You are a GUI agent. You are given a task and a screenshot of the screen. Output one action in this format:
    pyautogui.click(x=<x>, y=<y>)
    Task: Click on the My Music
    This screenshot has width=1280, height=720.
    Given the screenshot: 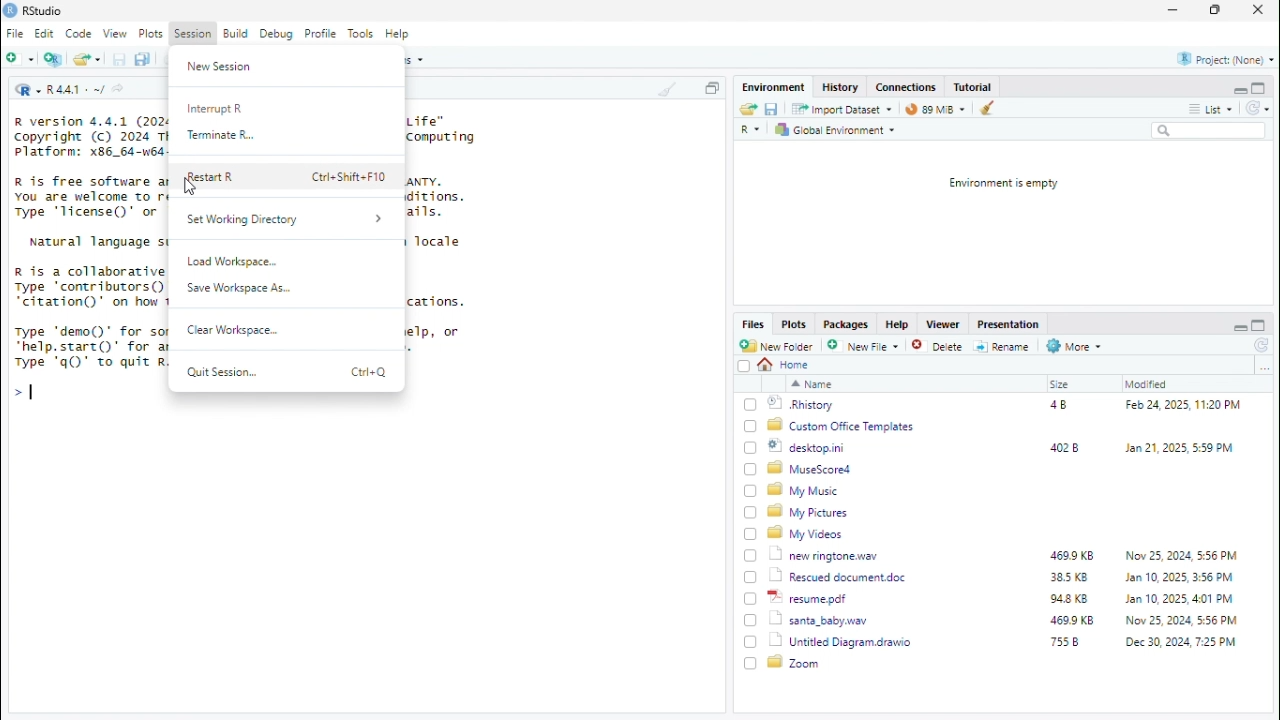 What is the action you would take?
    pyautogui.click(x=803, y=491)
    